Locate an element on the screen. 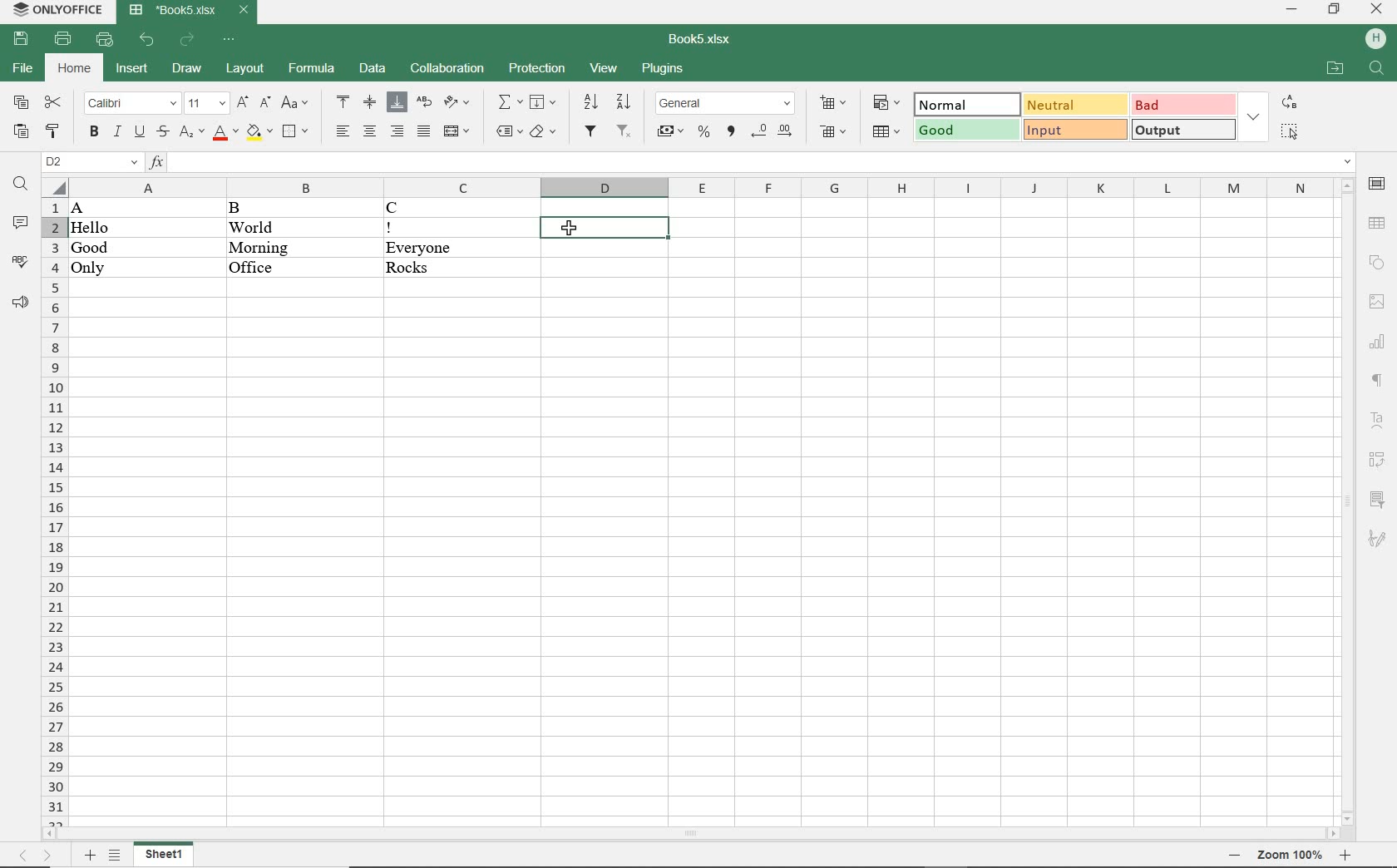 This screenshot has width=1397, height=868. RESTORE DOWN is located at coordinates (1335, 11).